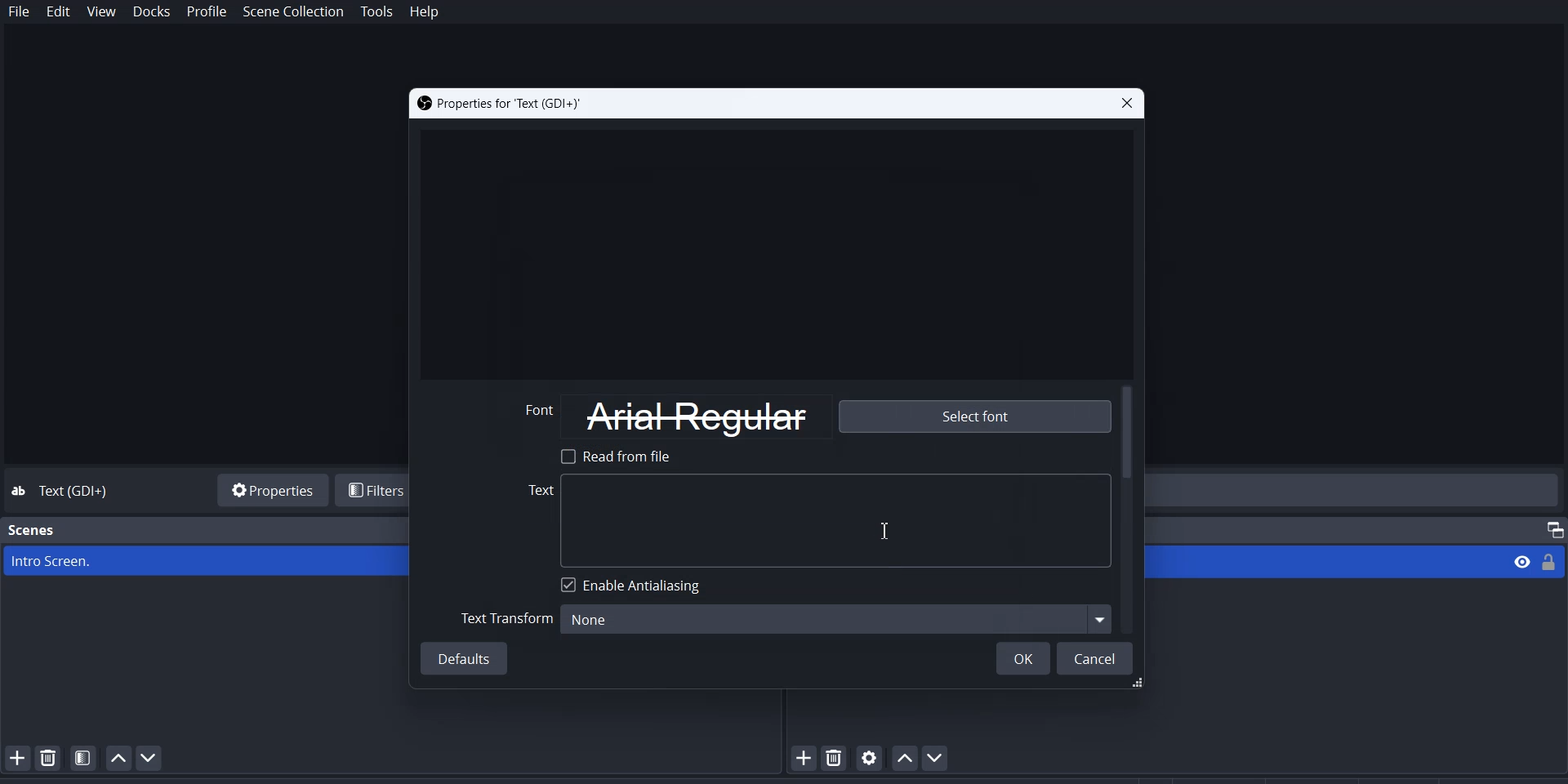 The image size is (1568, 784). What do you see at coordinates (49, 757) in the screenshot?
I see `Remove Selected Scene` at bounding box center [49, 757].